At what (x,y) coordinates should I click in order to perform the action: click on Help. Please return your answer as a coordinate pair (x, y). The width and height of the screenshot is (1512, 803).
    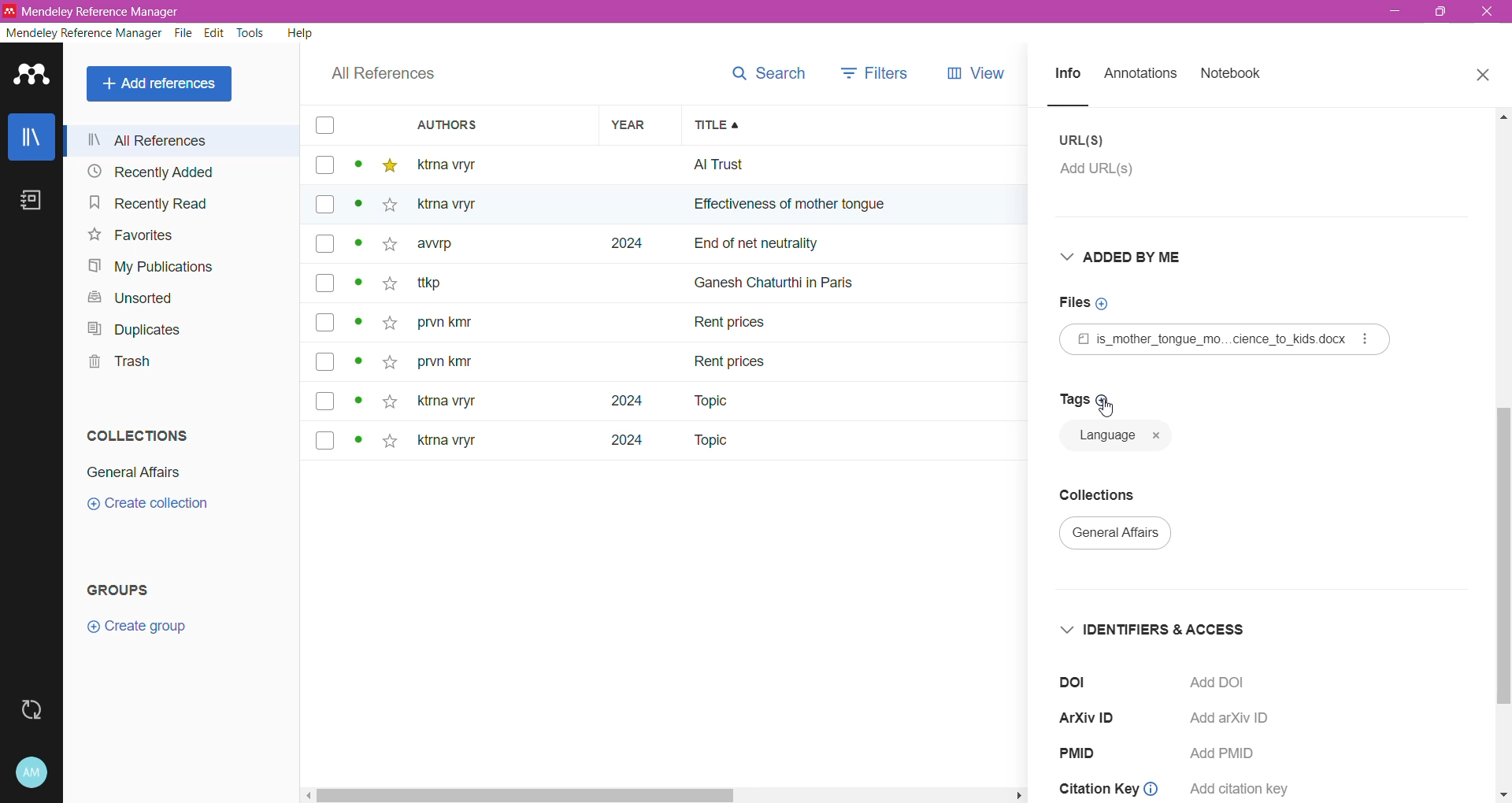
    Looking at the image, I should click on (301, 32).